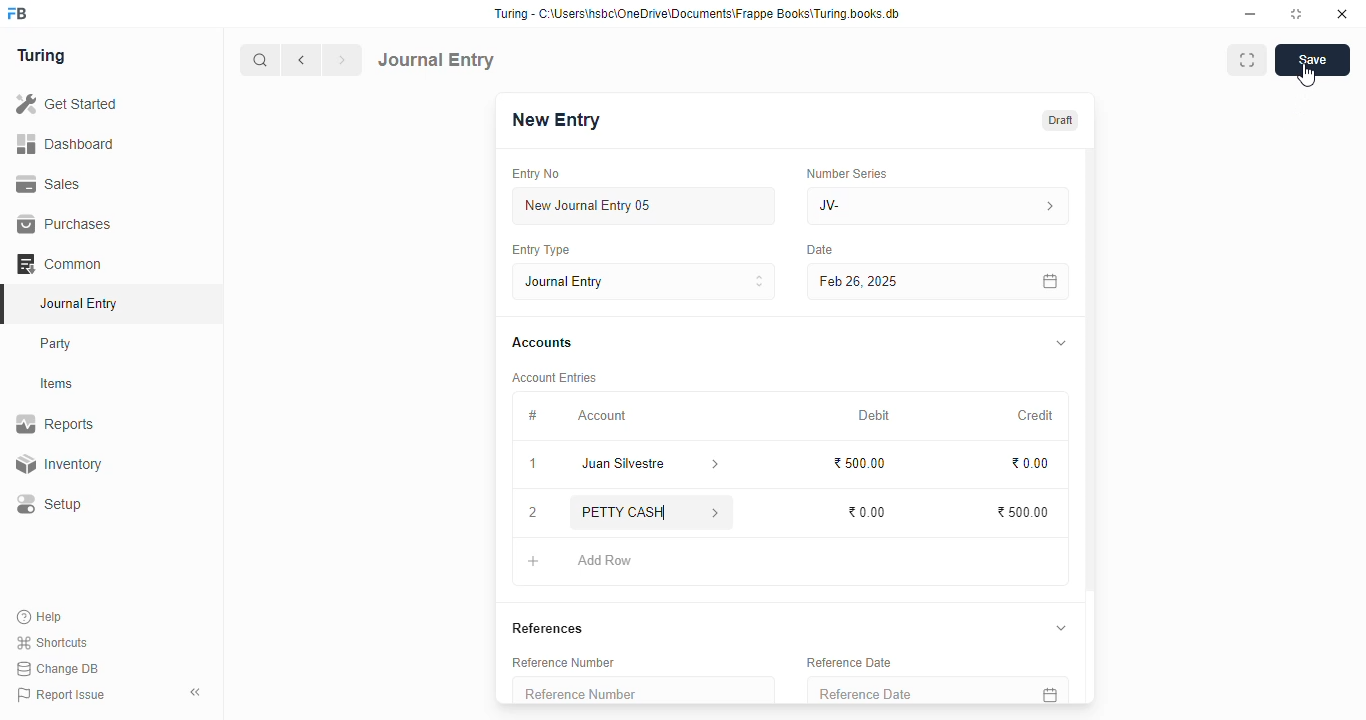 The height and width of the screenshot is (720, 1366). Describe the element at coordinates (537, 174) in the screenshot. I see `entry no` at that location.